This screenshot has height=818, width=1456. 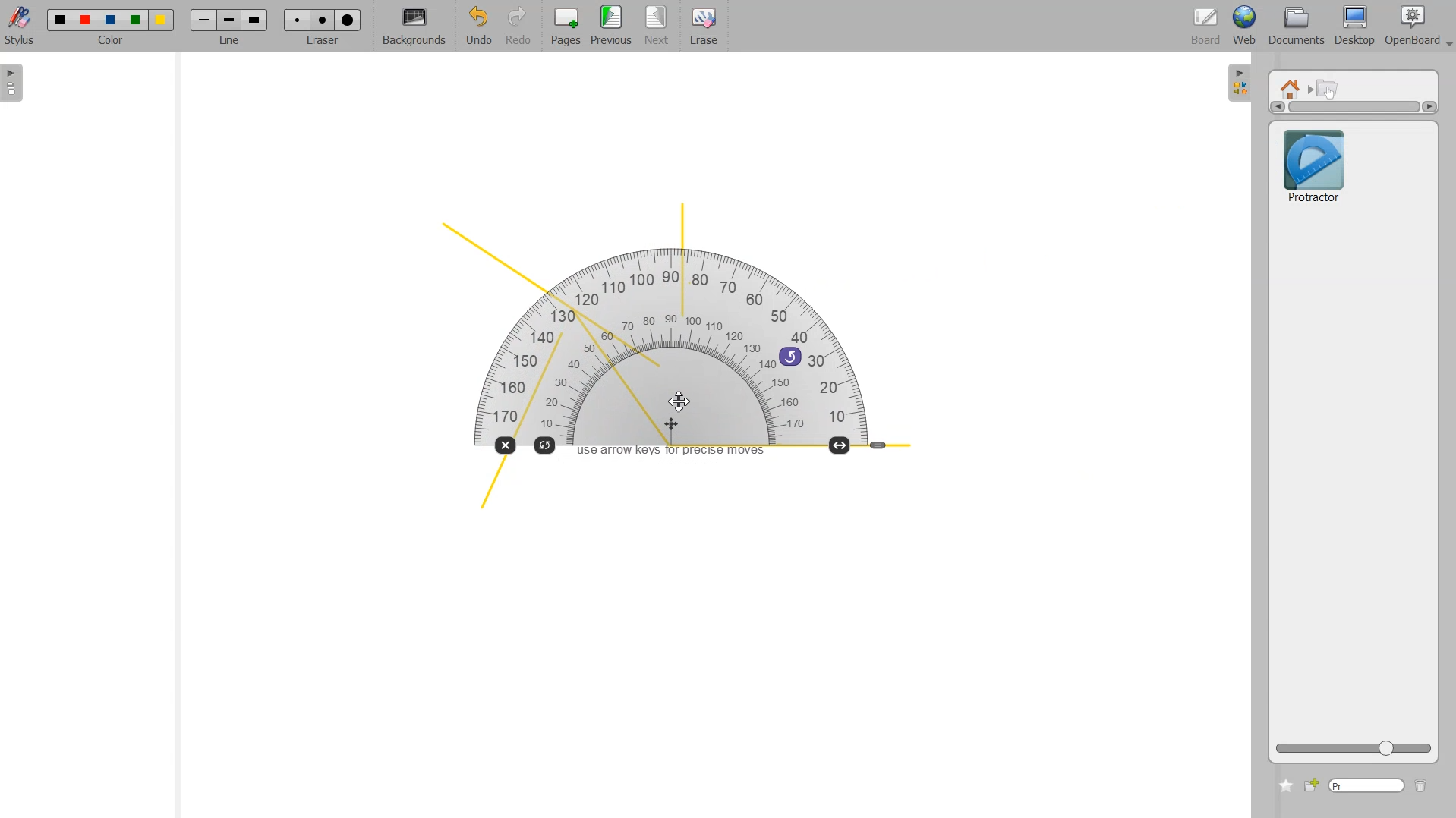 I want to click on Erase, so click(x=703, y=27).